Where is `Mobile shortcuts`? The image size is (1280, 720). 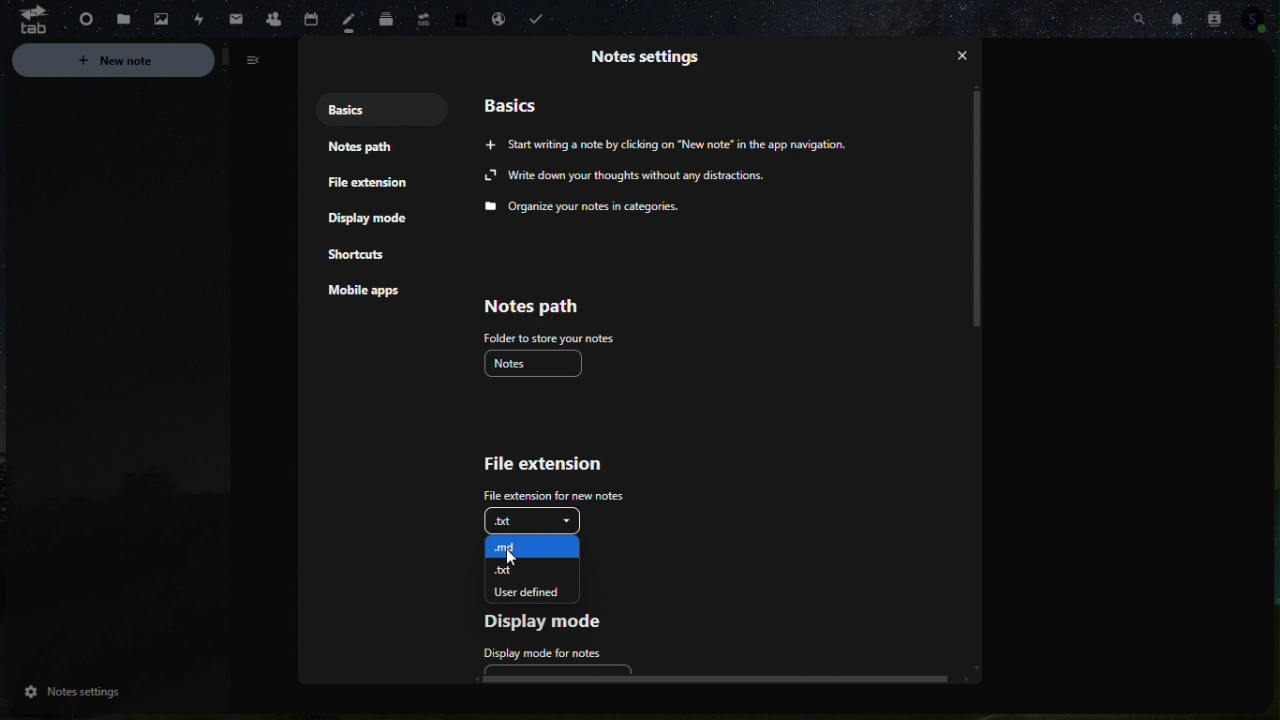
Mobile shortcuts is located at coordinates (365, 253).